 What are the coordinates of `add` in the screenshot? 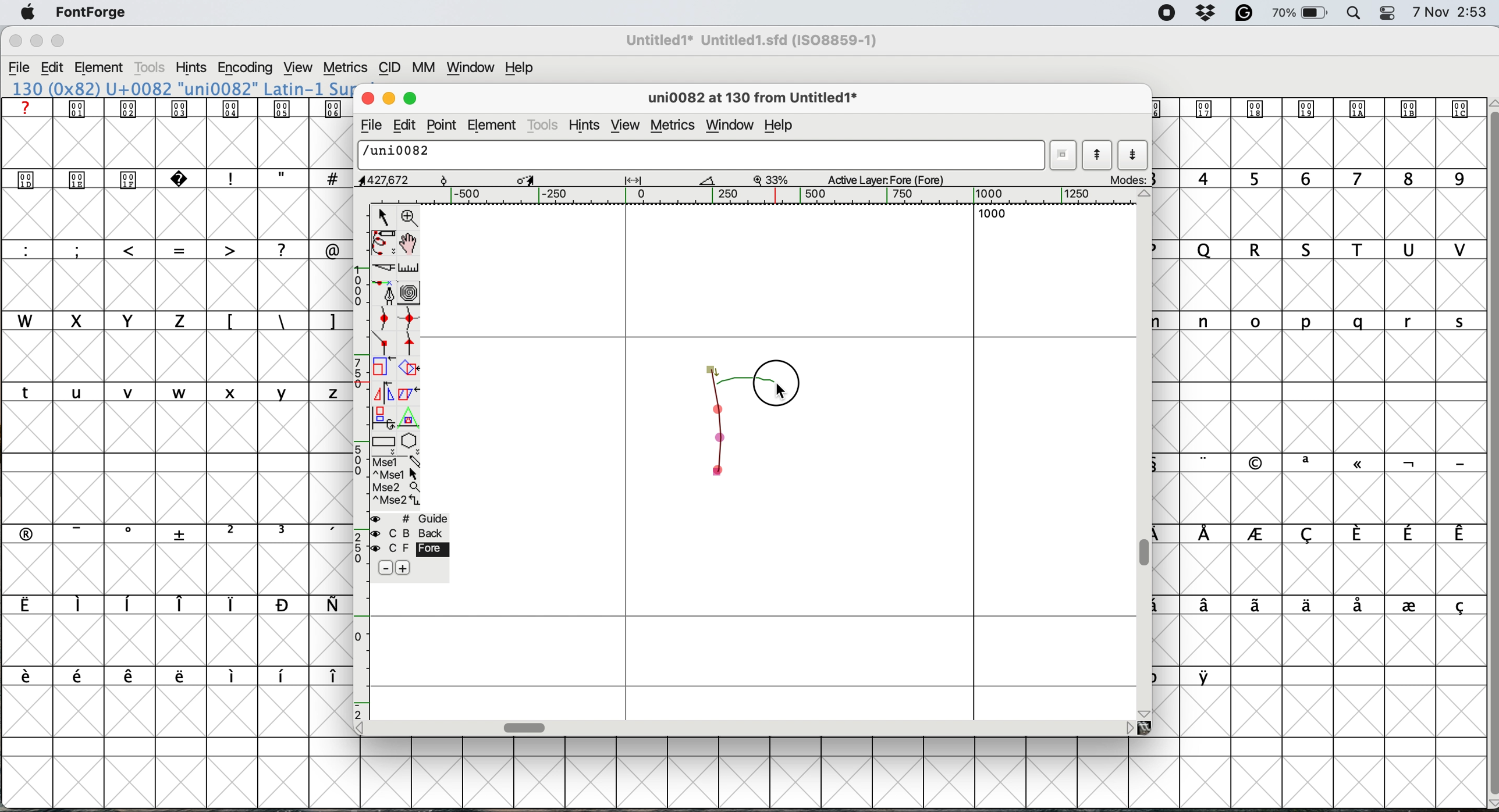 It's located at (403, 567).